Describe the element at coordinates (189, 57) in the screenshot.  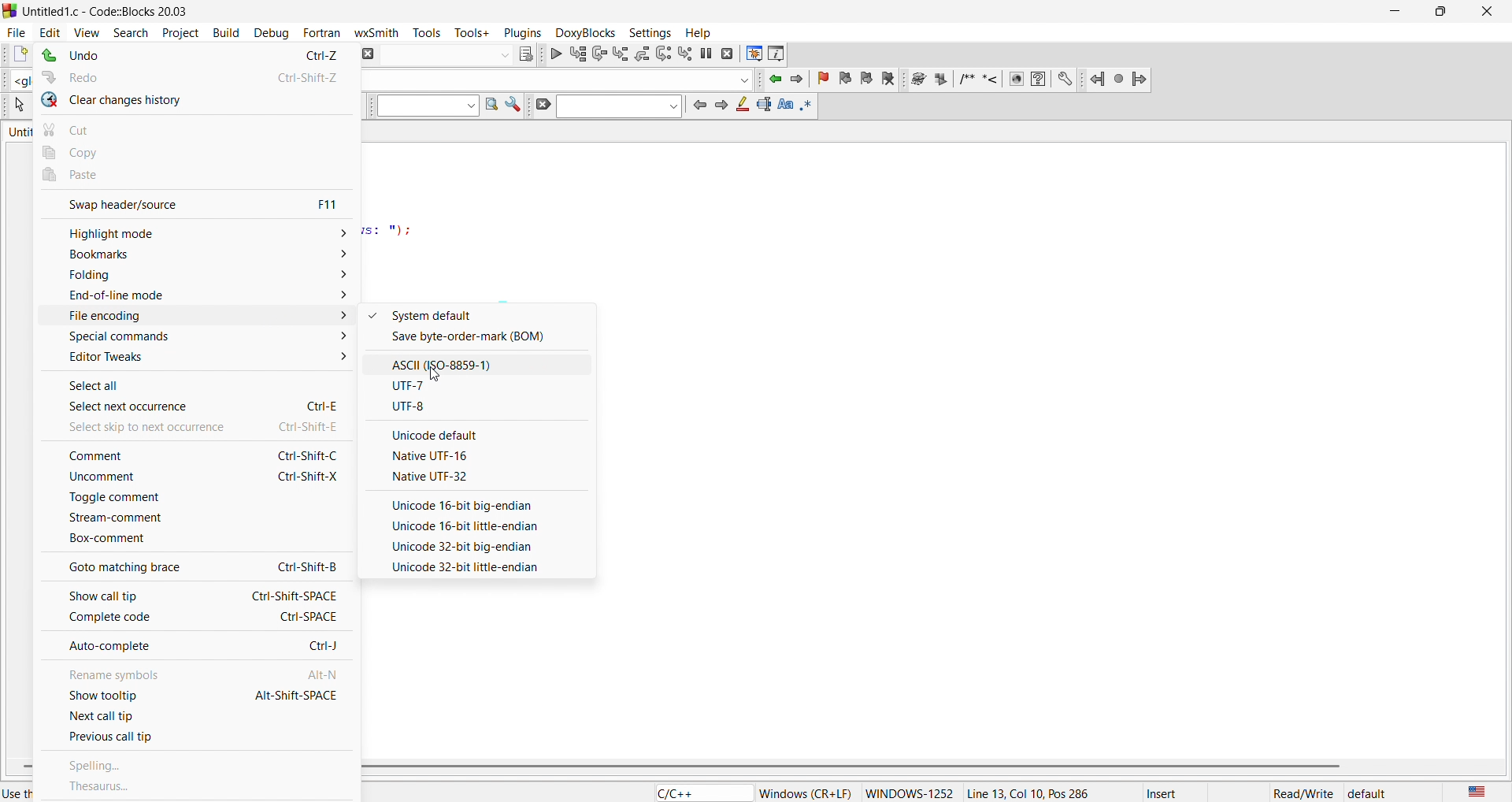
I see `undo` at that location.